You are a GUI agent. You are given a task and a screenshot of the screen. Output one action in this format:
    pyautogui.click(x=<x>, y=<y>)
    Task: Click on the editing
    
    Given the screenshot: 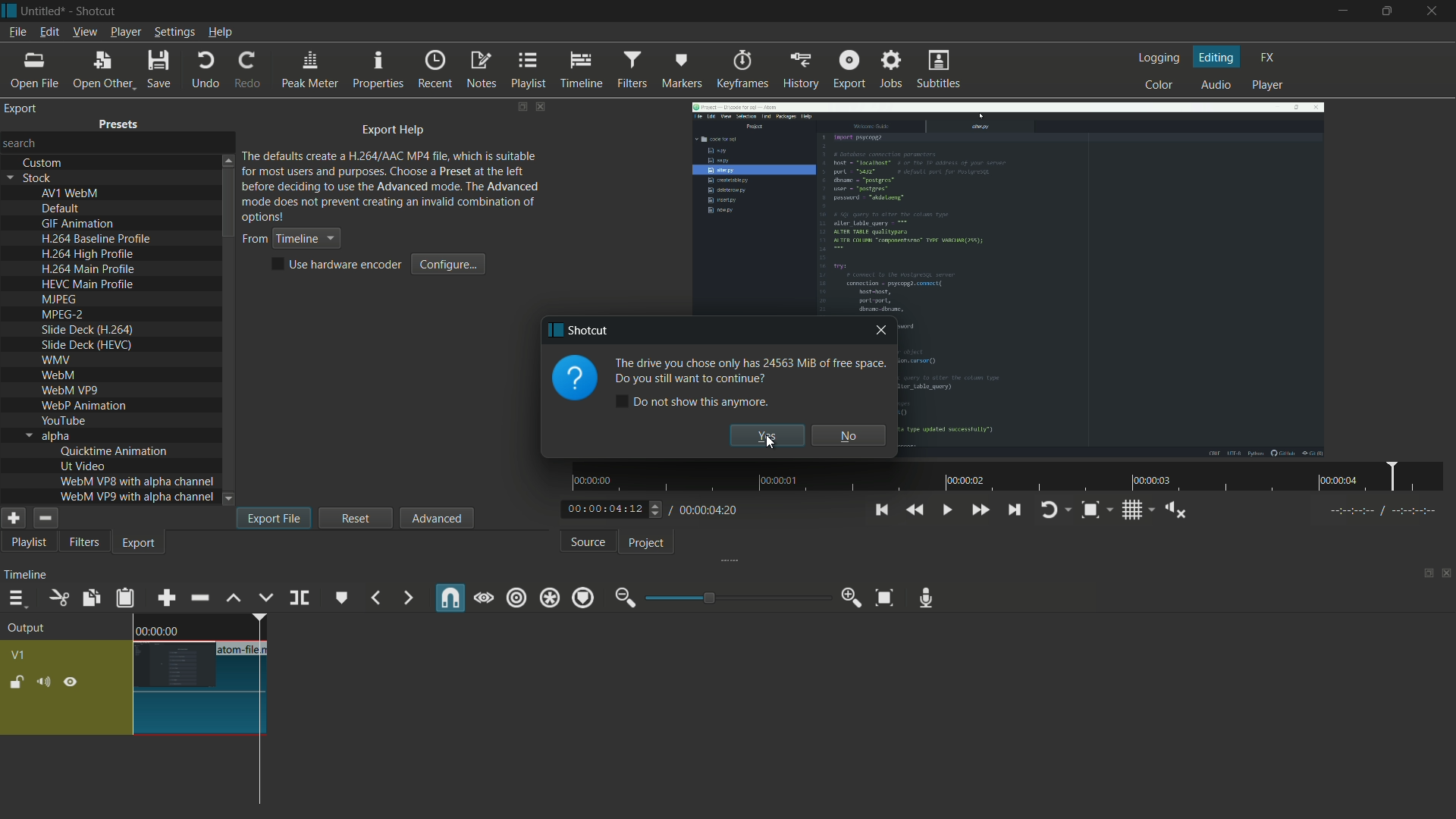 What is the action you would take?
    pyautogui.click(x=1218, y=58)
    